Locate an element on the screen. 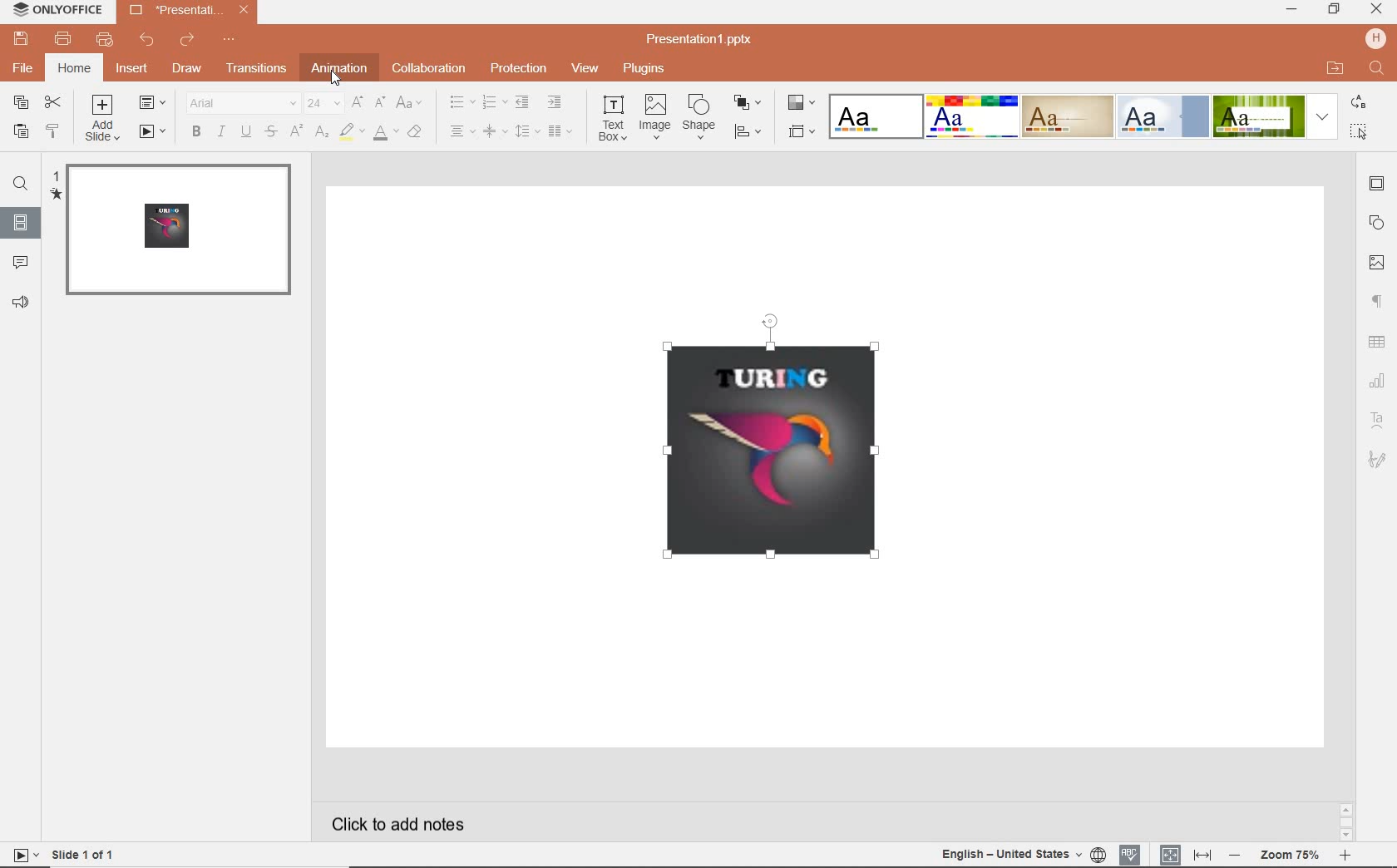 The image size is (1397, 868). text art is located at coordinates (1379, 421).